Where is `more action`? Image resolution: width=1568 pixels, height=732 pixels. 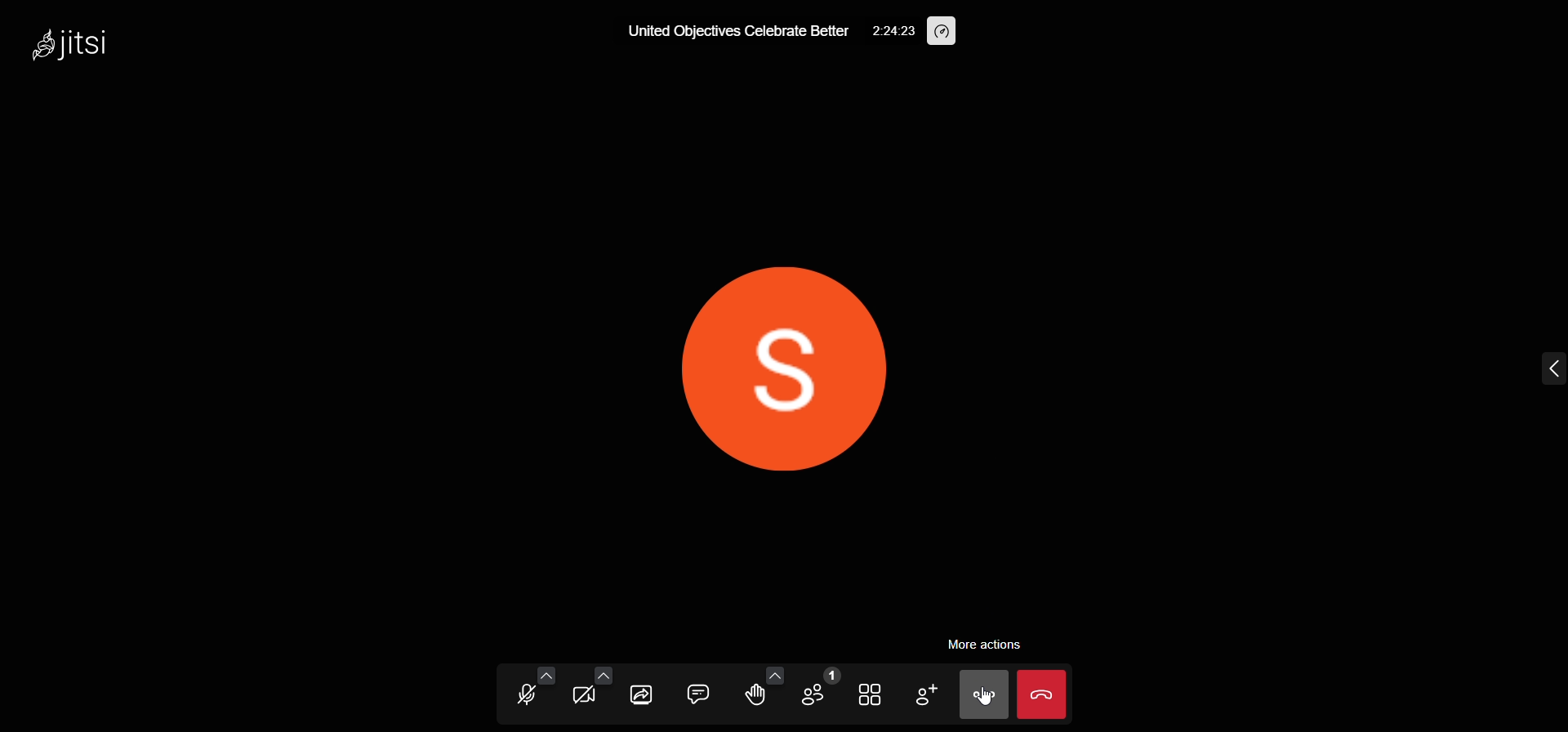 more action is located at coordinates (987, 645).